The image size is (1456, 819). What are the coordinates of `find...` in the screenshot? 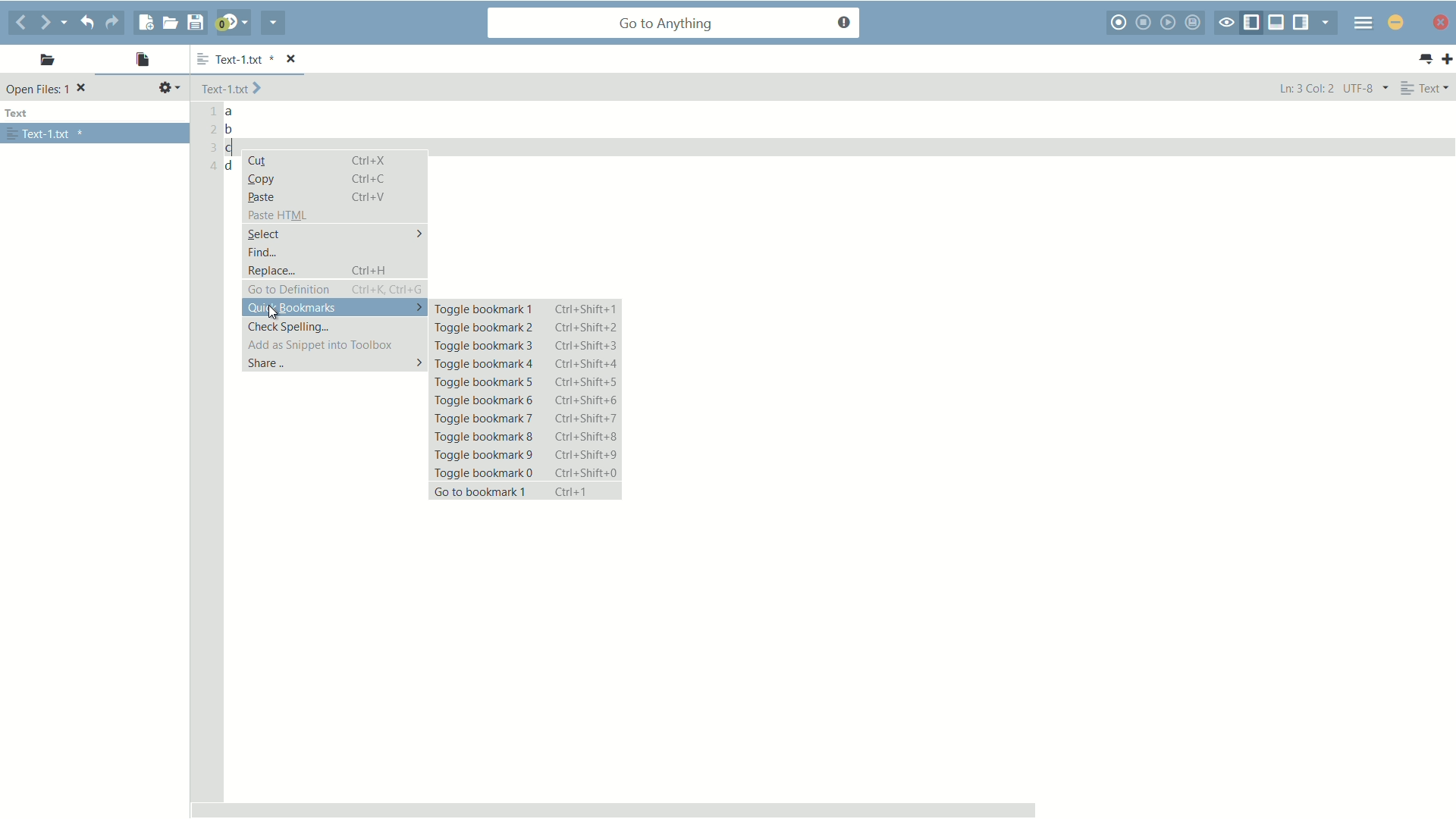 It's located at (262, 253).